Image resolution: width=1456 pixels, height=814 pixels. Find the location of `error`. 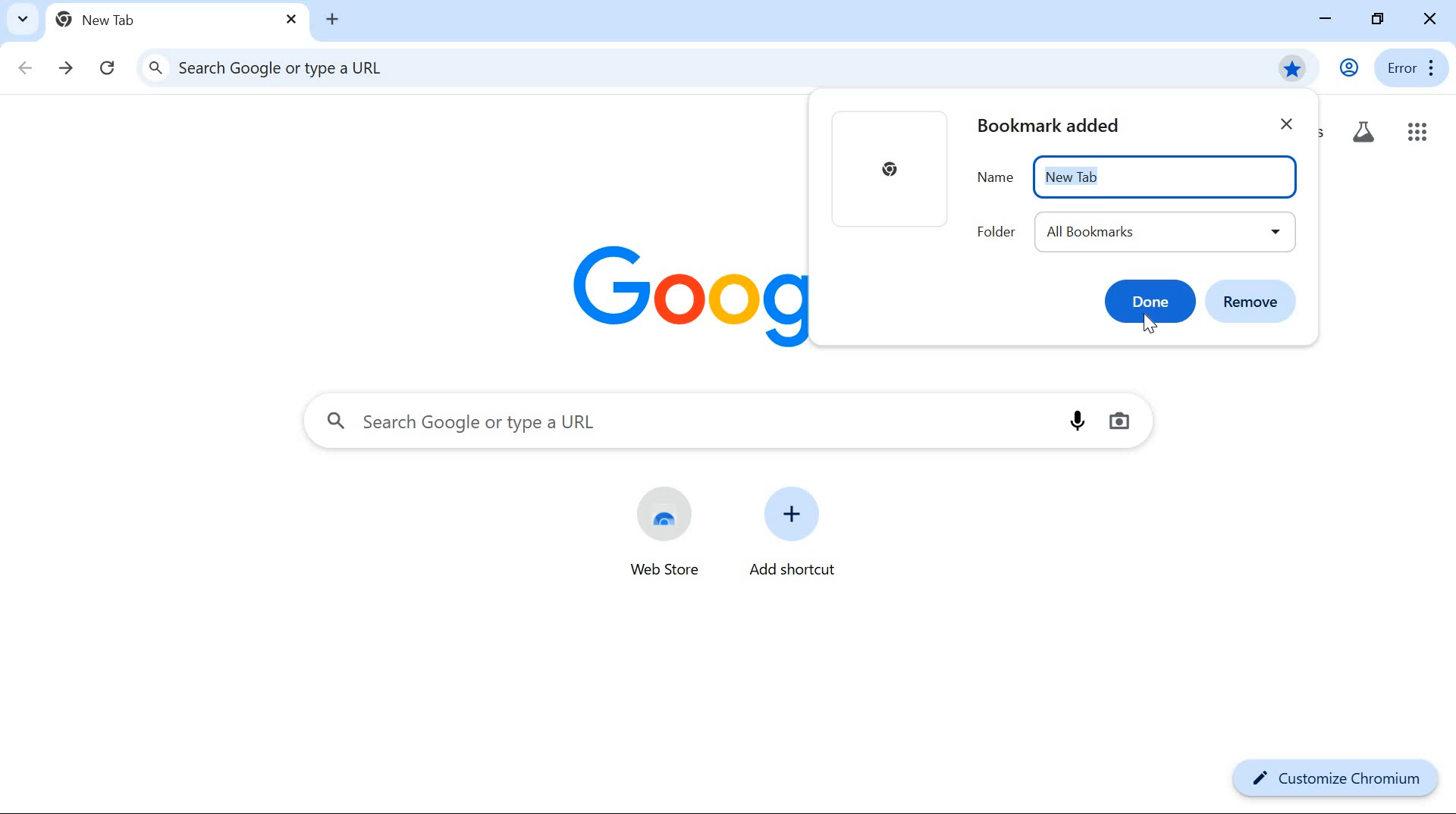

error is located at coordinates (1399, 67).